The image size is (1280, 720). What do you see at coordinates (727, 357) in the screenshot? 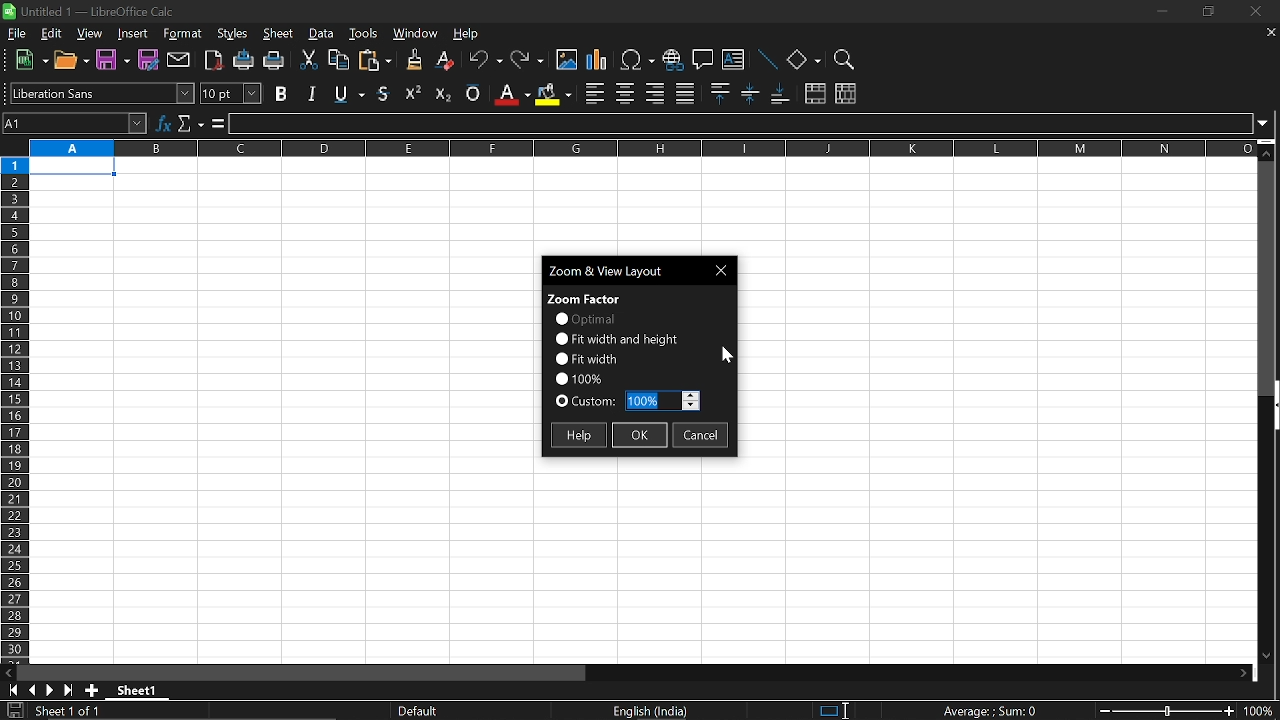
I see `Cursor` at bounding box center [727, 357].